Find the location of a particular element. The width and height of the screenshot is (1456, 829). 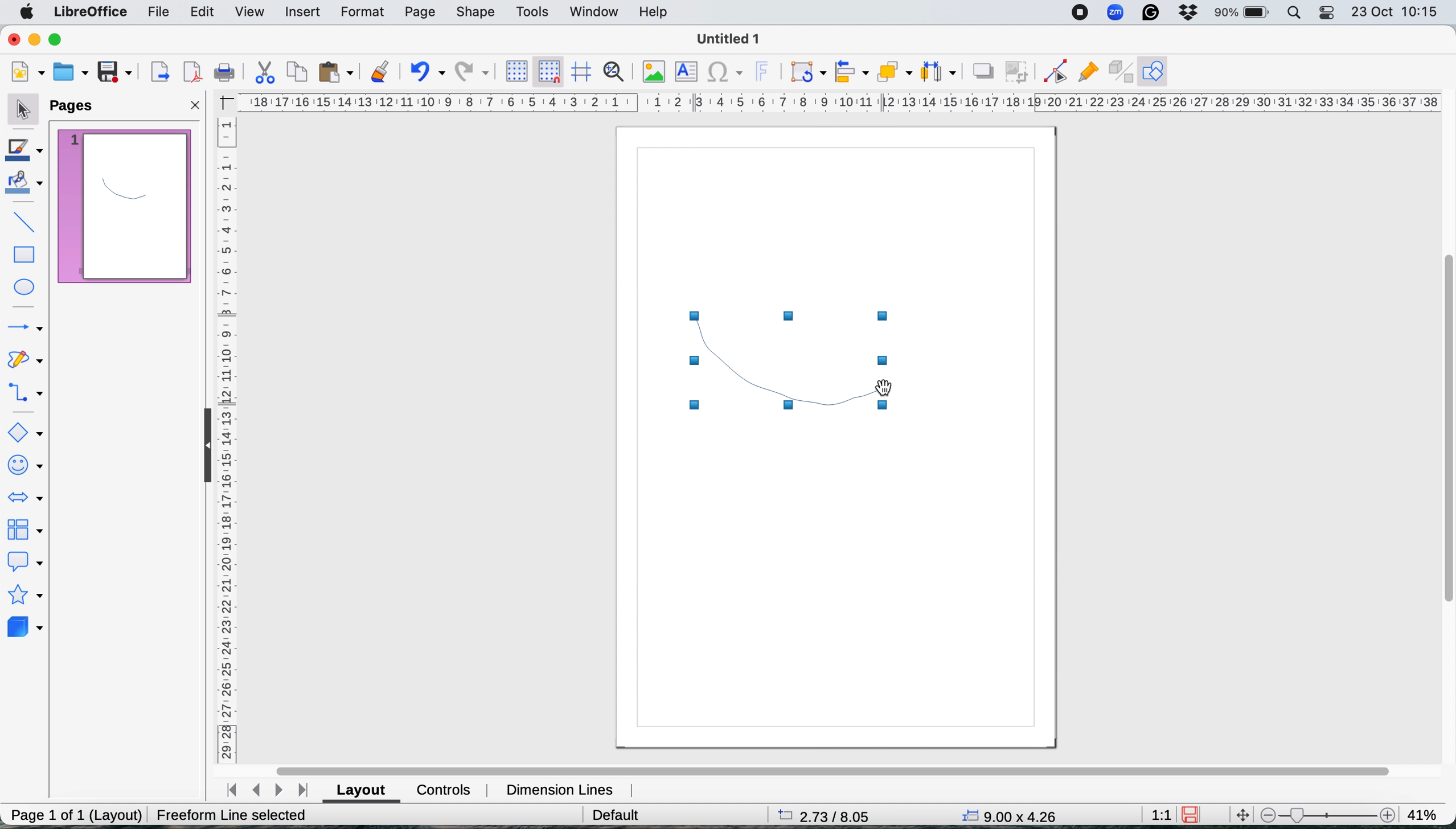

window is located at coordinates (594, 12).